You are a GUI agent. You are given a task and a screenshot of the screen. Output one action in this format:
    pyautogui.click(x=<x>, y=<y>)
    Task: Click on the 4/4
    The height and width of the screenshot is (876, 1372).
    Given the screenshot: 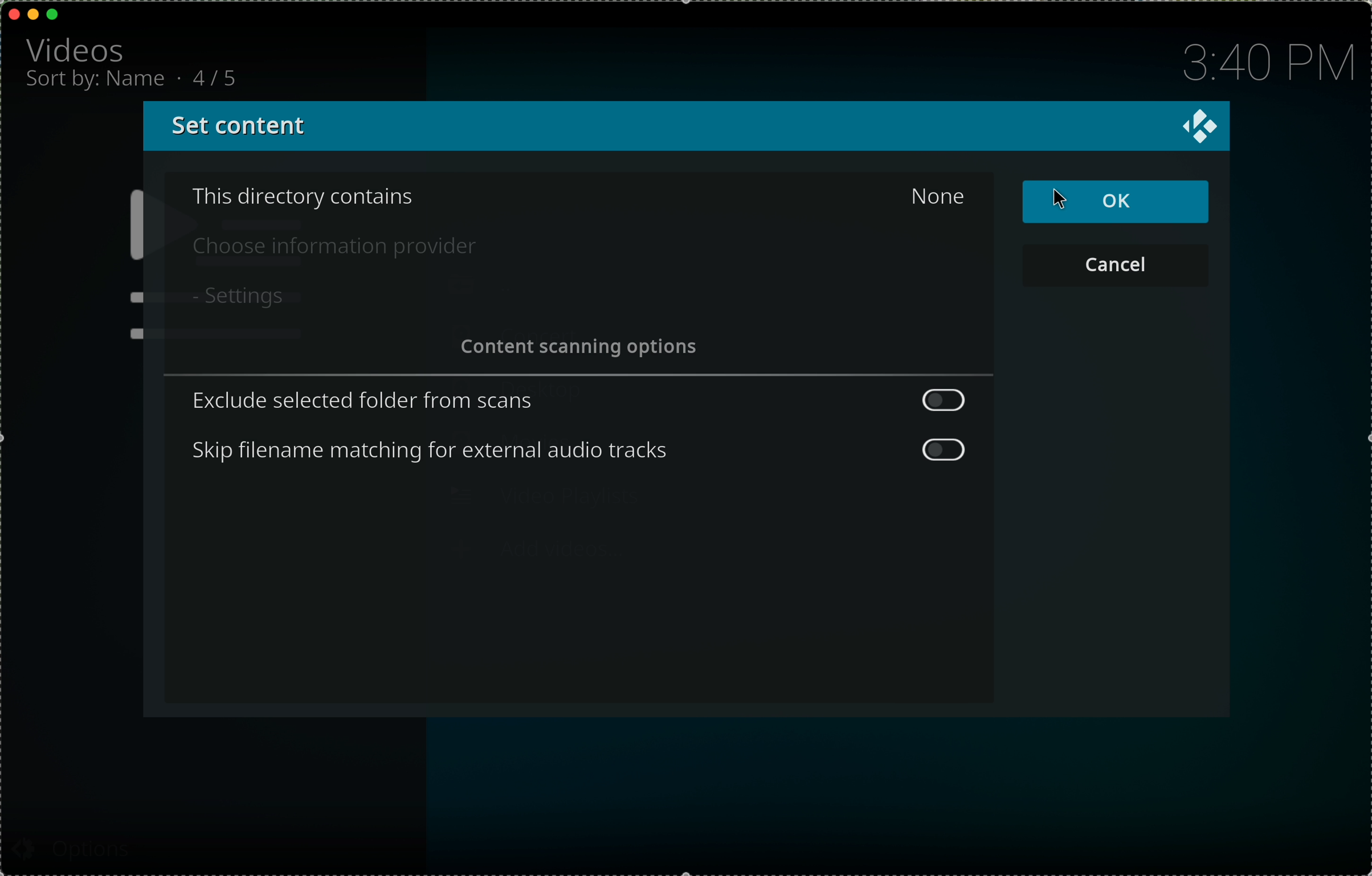 What is the action you would take?
    pyautogui.click(x=220, y=76)
    